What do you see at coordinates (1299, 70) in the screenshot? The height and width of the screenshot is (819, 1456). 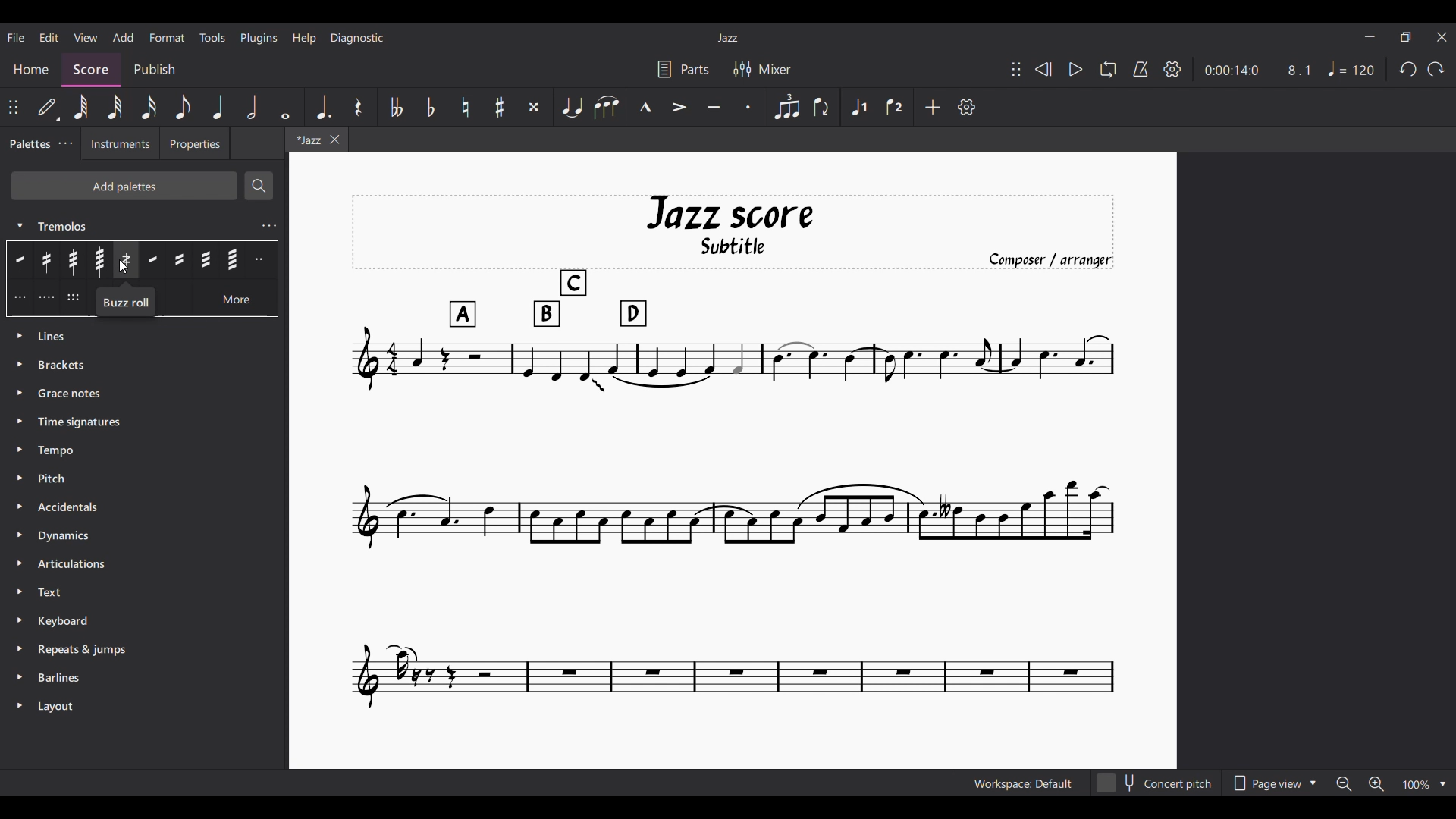 I see `8.1` at bounding box center [1299, 70].